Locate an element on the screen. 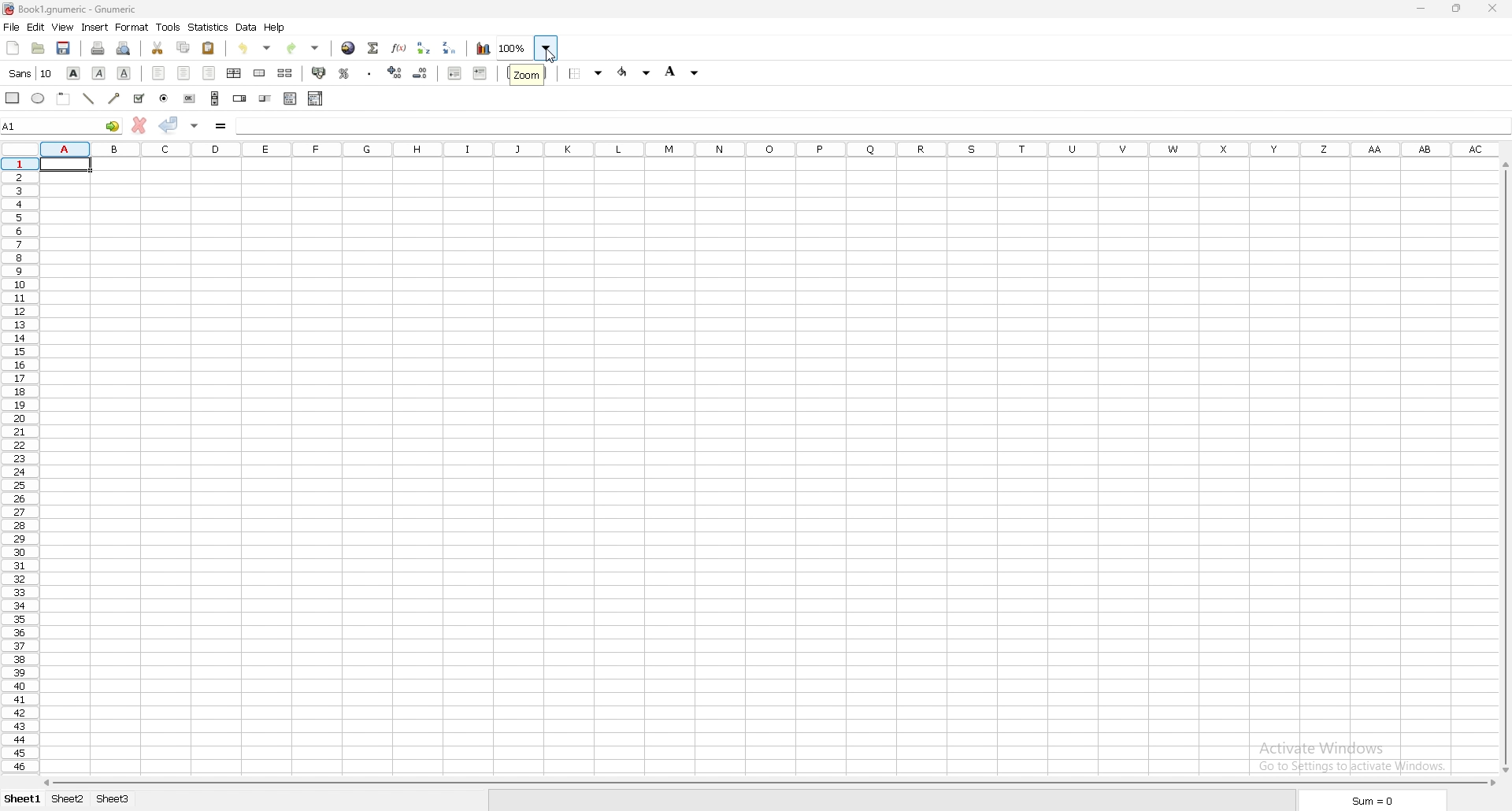 The height and width of the screenshot is (811, 1512). sheet 2 is located at coordinates (68, 800).